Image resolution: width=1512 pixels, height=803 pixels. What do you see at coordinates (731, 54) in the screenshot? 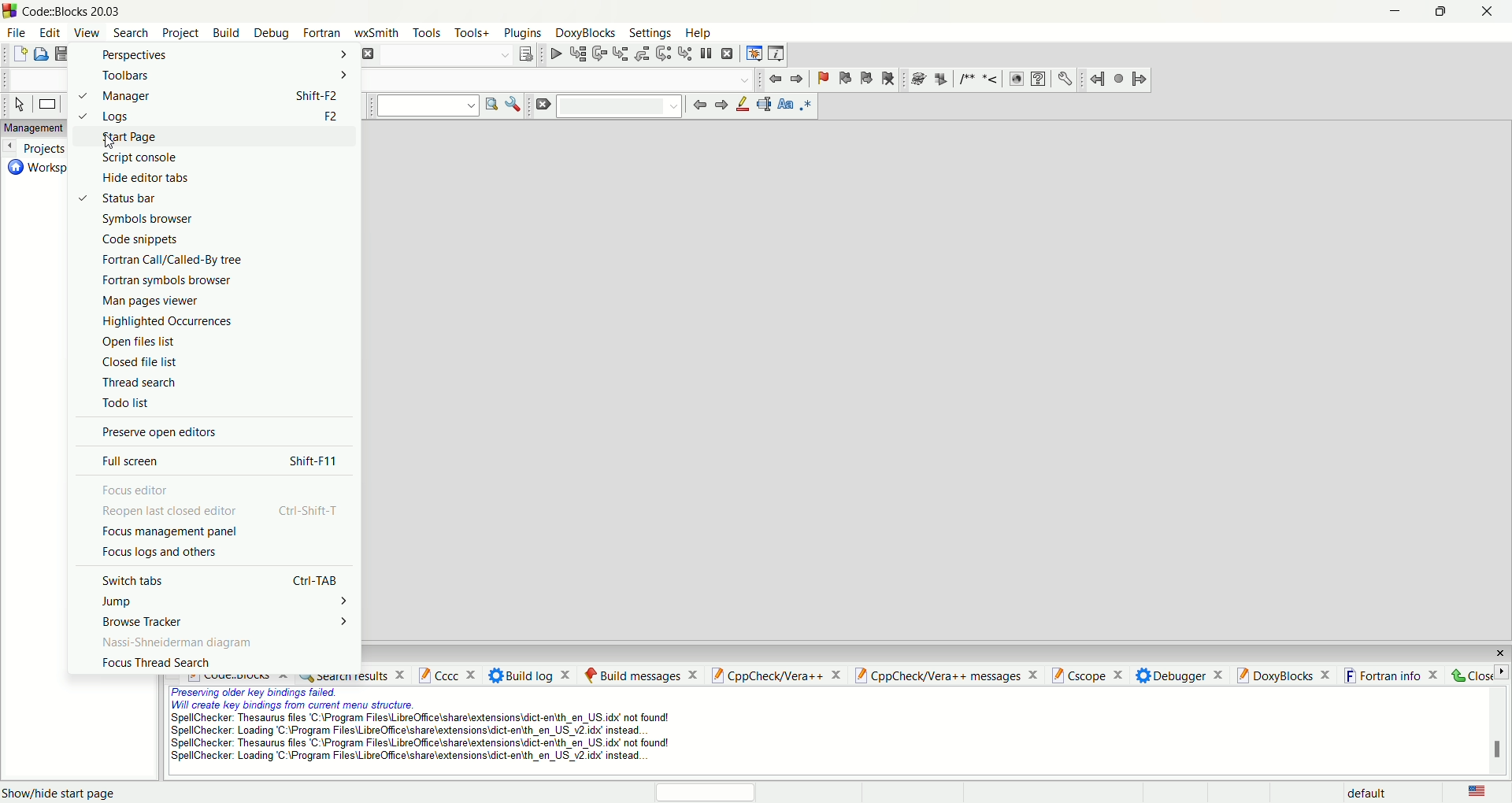
I see `stop debugger` at bounding box center [731, 54].